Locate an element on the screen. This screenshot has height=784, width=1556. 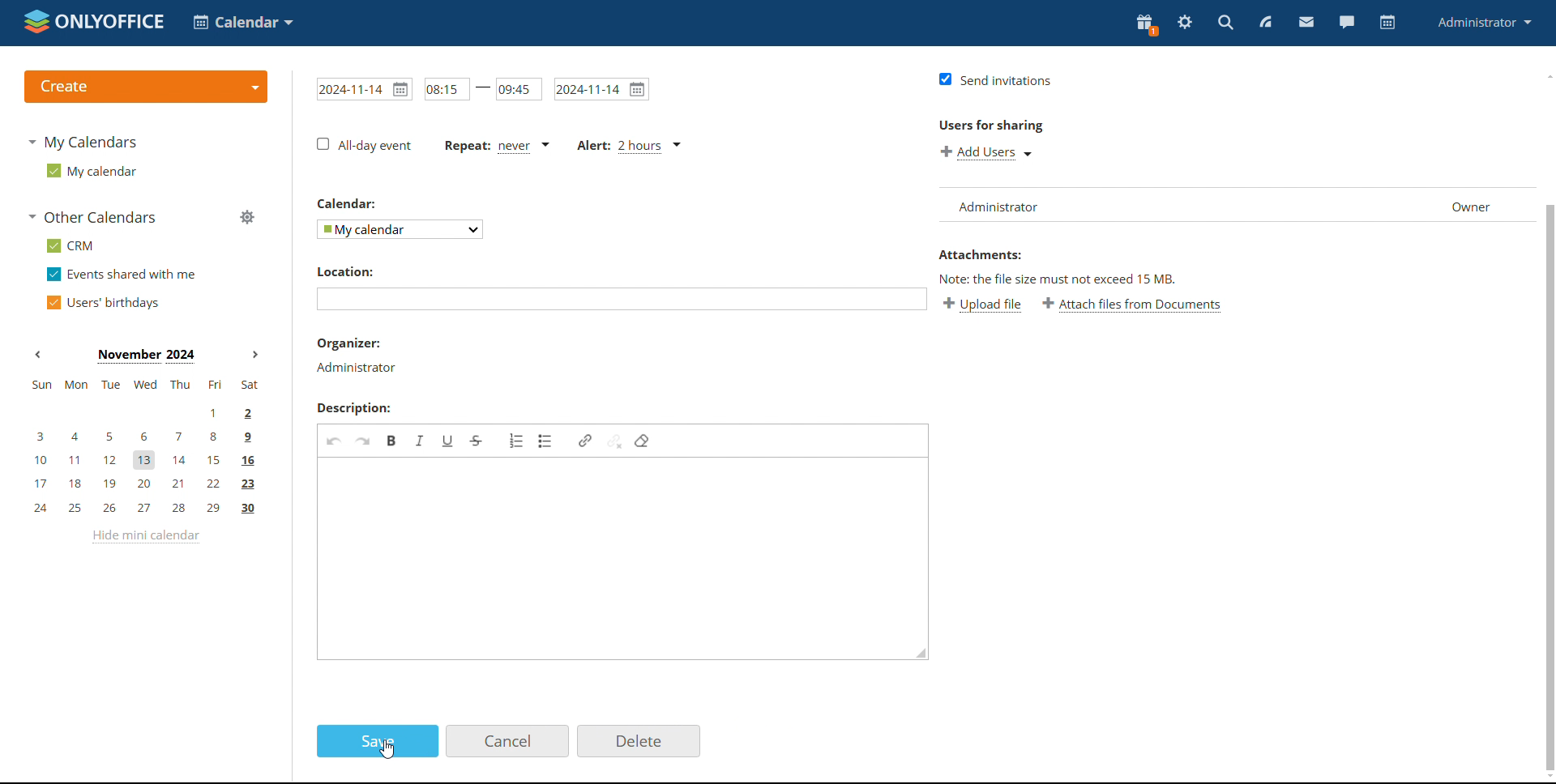
save is located at coordinates (376, 741).